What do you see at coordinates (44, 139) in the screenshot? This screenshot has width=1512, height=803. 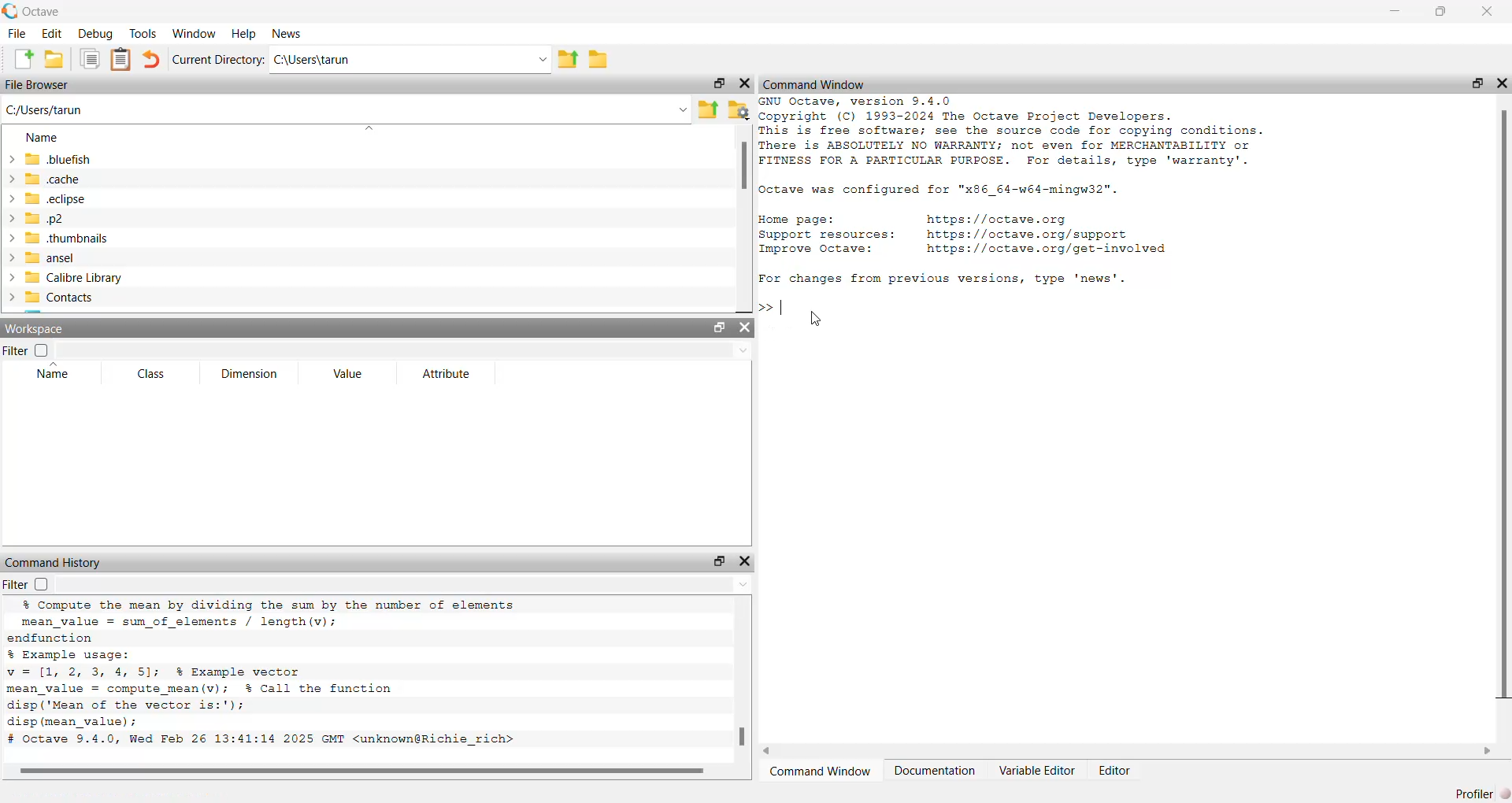 I see `name` at bounding box center [44, 139].